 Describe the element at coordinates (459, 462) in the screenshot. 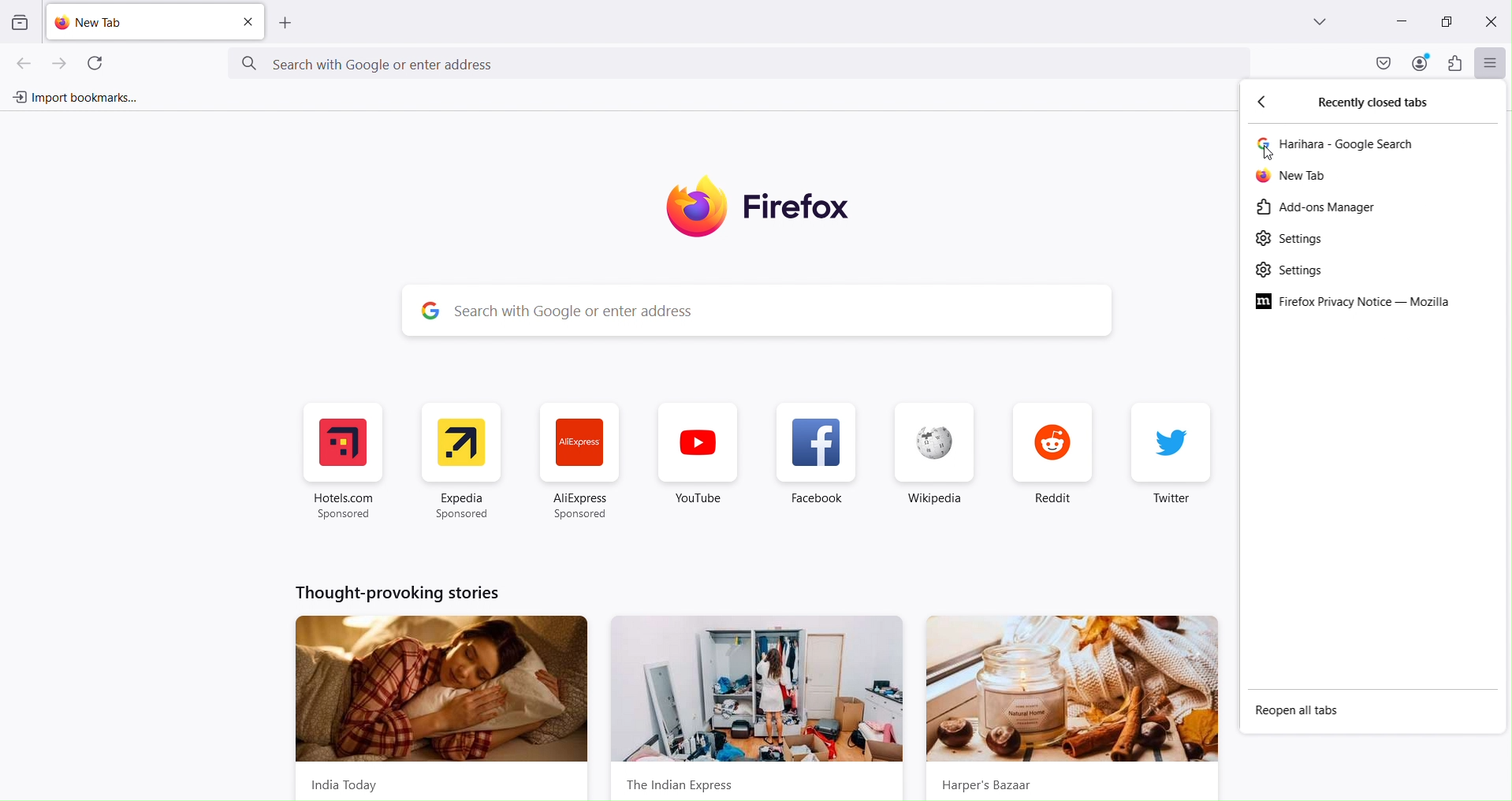

I see `Expedia Web Shortcut` at that location.